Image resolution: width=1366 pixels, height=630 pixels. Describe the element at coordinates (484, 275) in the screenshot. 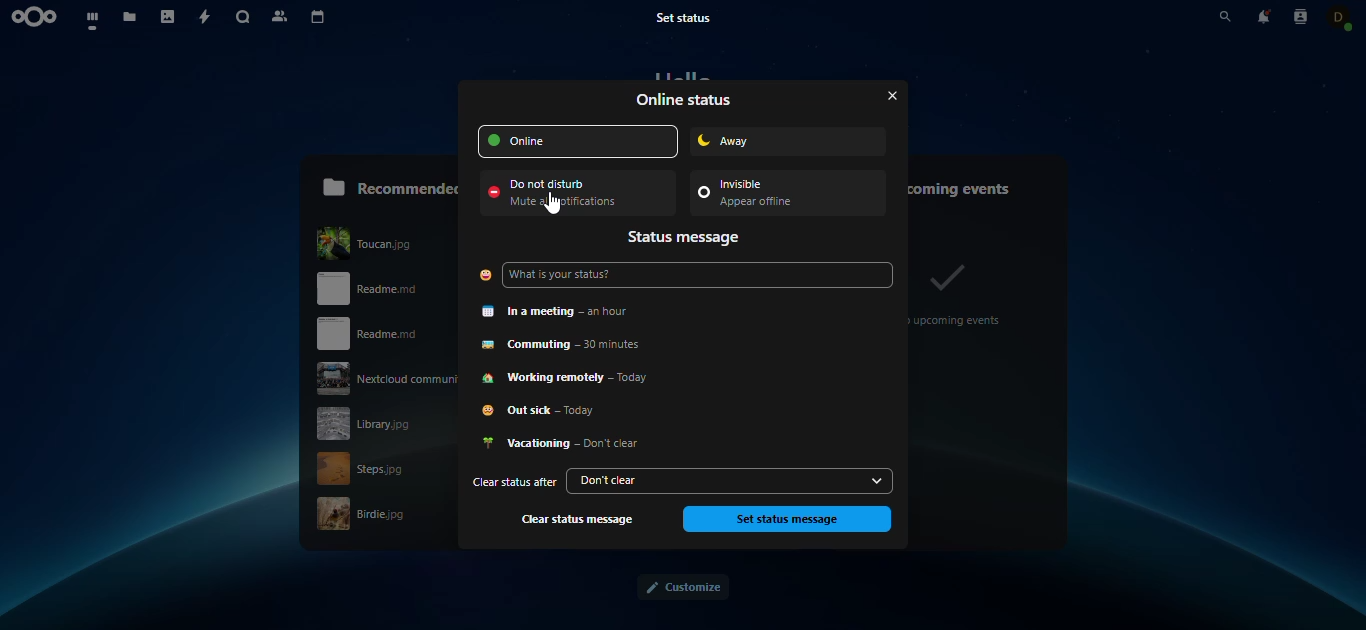

I see `emoji` at that location.